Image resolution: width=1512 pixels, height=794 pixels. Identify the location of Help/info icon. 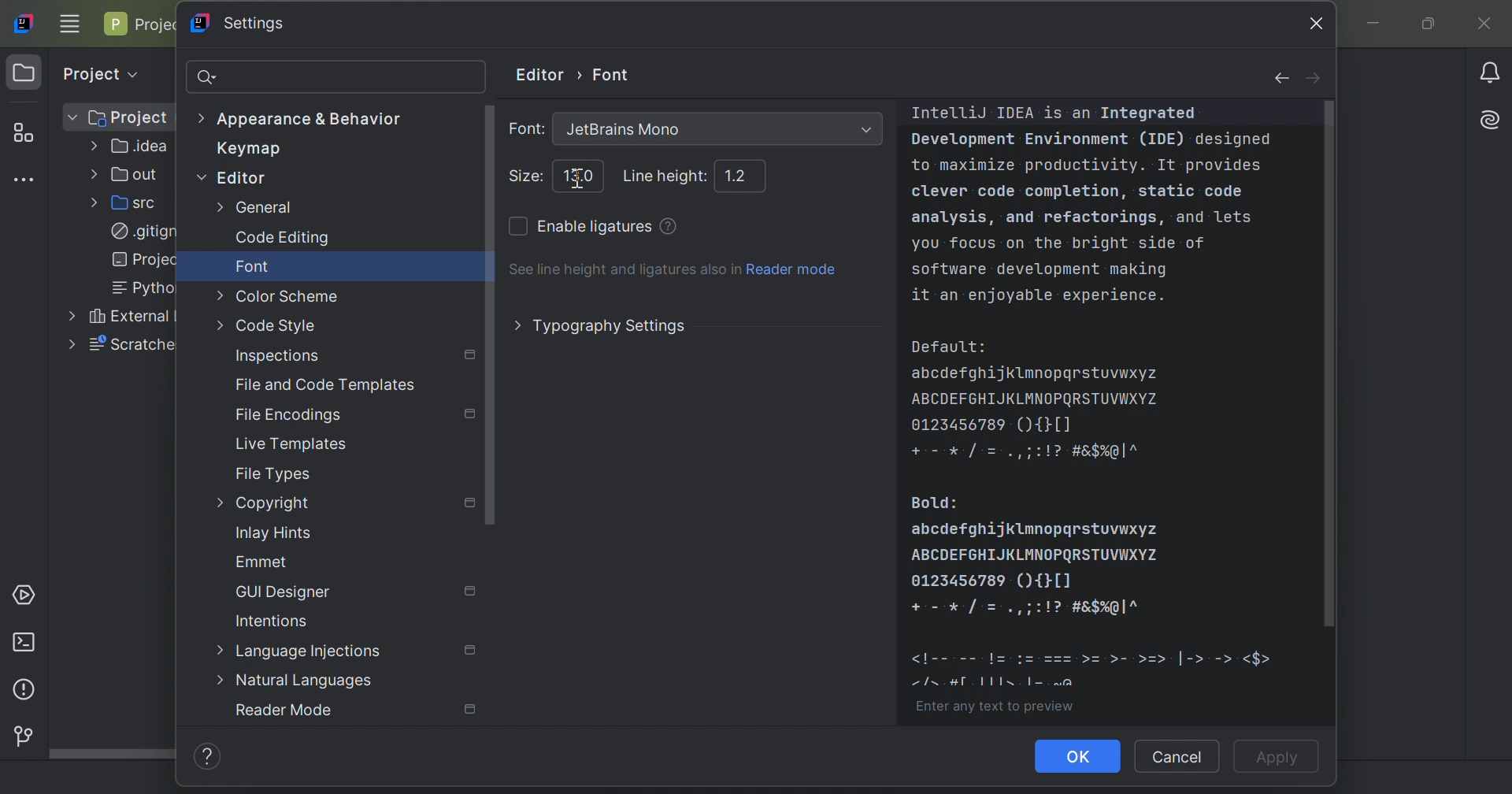
(212, 757).